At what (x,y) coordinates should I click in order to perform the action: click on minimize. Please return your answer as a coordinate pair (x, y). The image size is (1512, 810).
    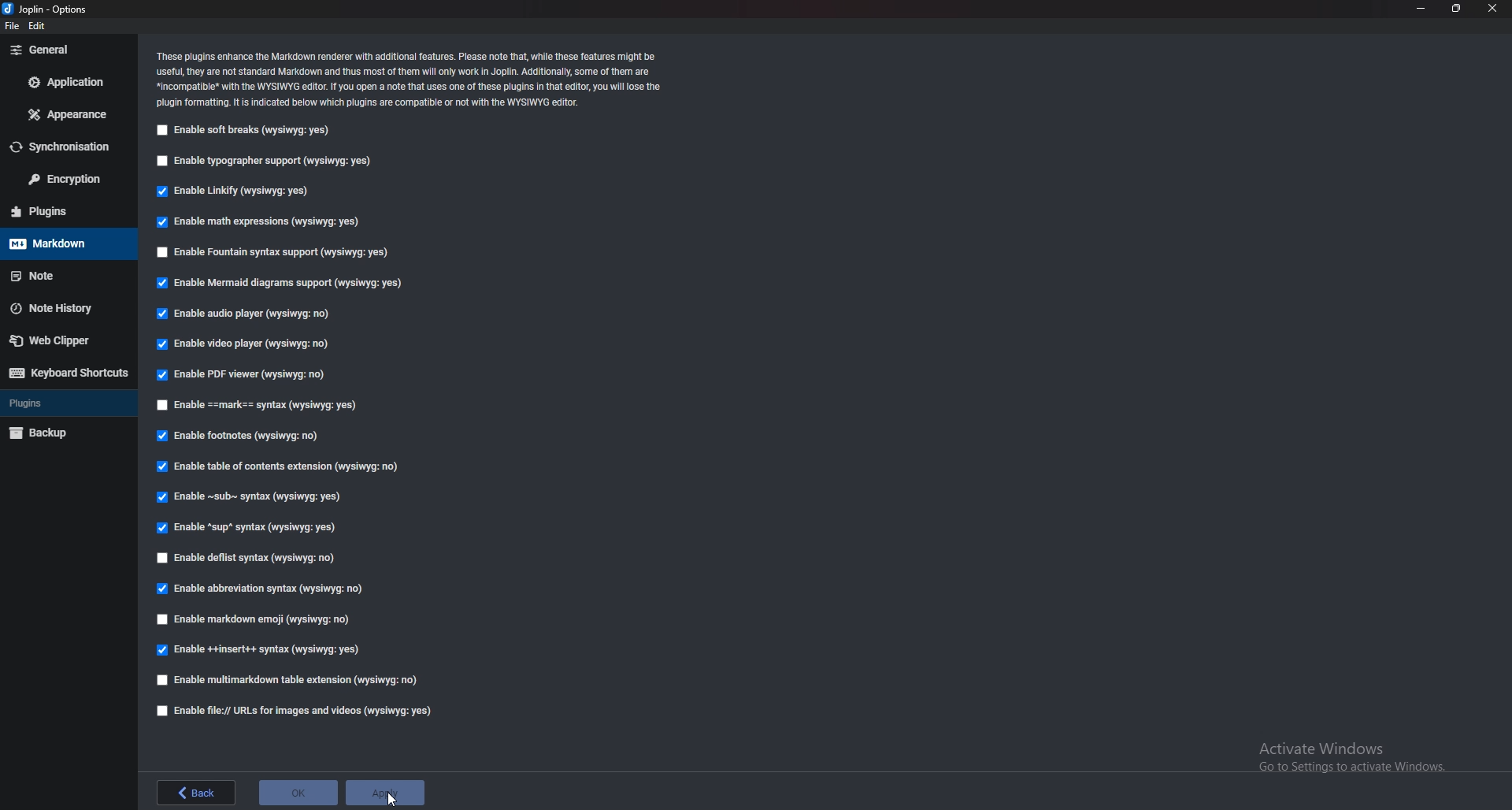
    Looking at the image, I should click on (1421, 7).